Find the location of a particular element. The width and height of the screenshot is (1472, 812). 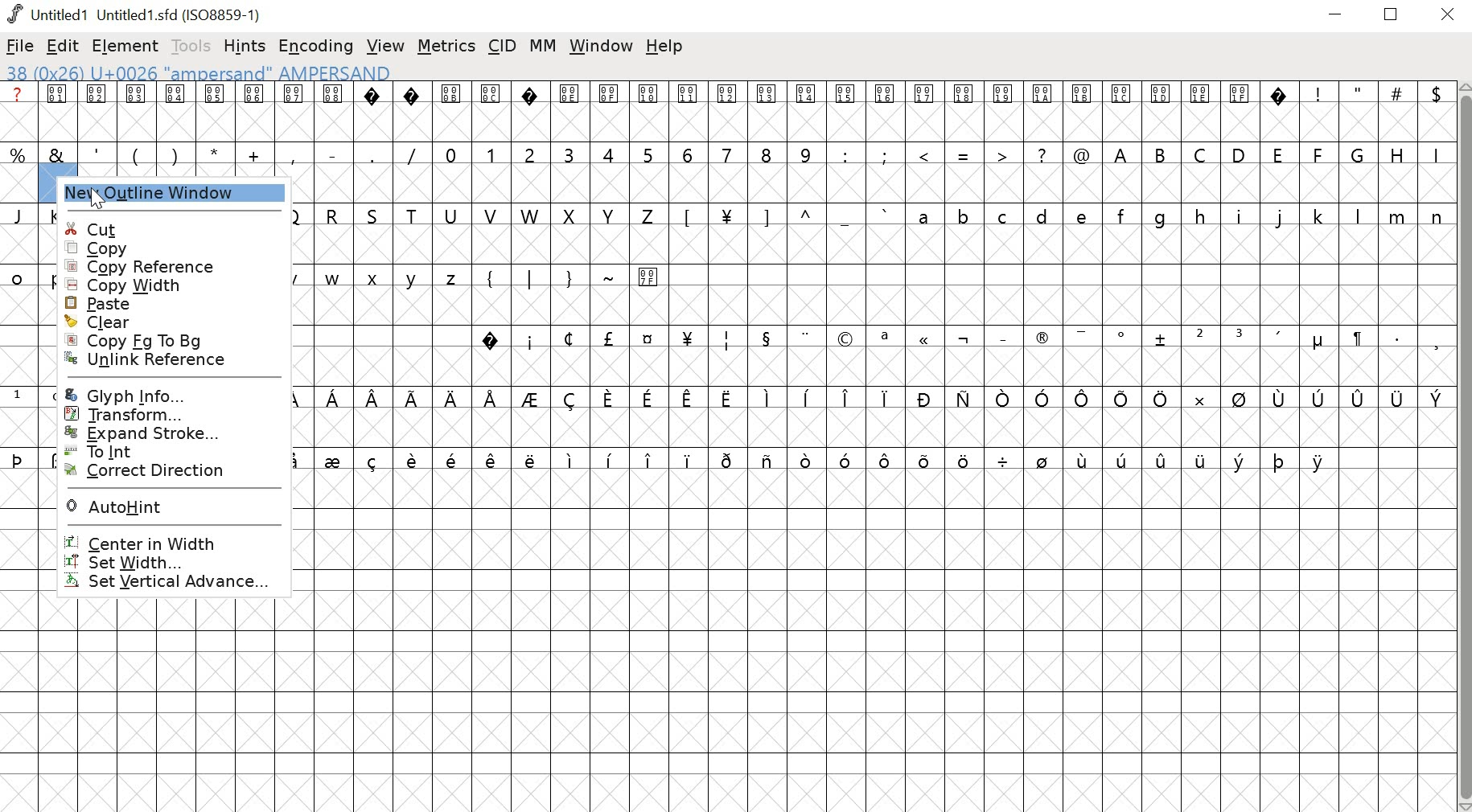

A is located at coordinates (1122, 153).